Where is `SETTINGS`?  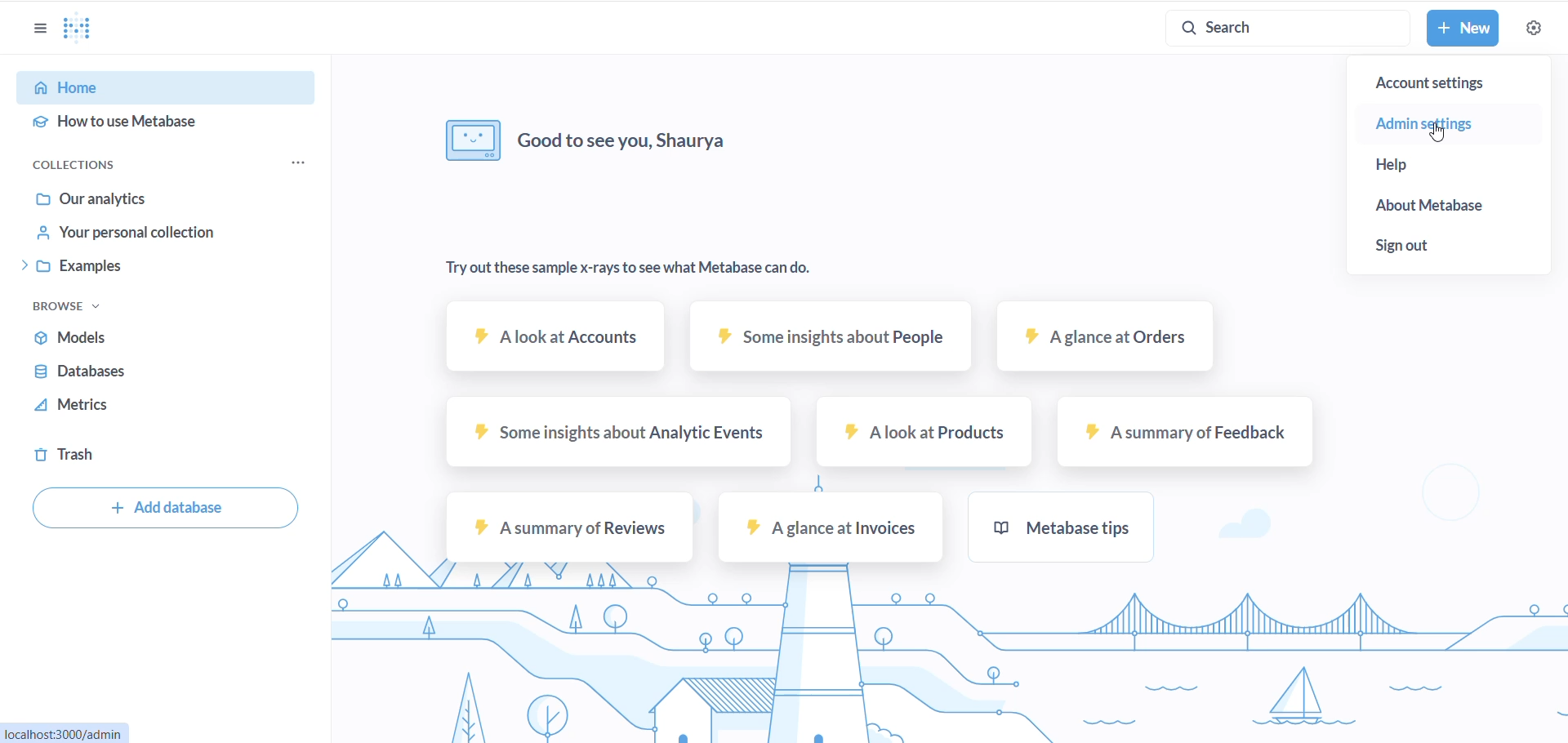
SETTINGS is located at coordinates (1533, 29).